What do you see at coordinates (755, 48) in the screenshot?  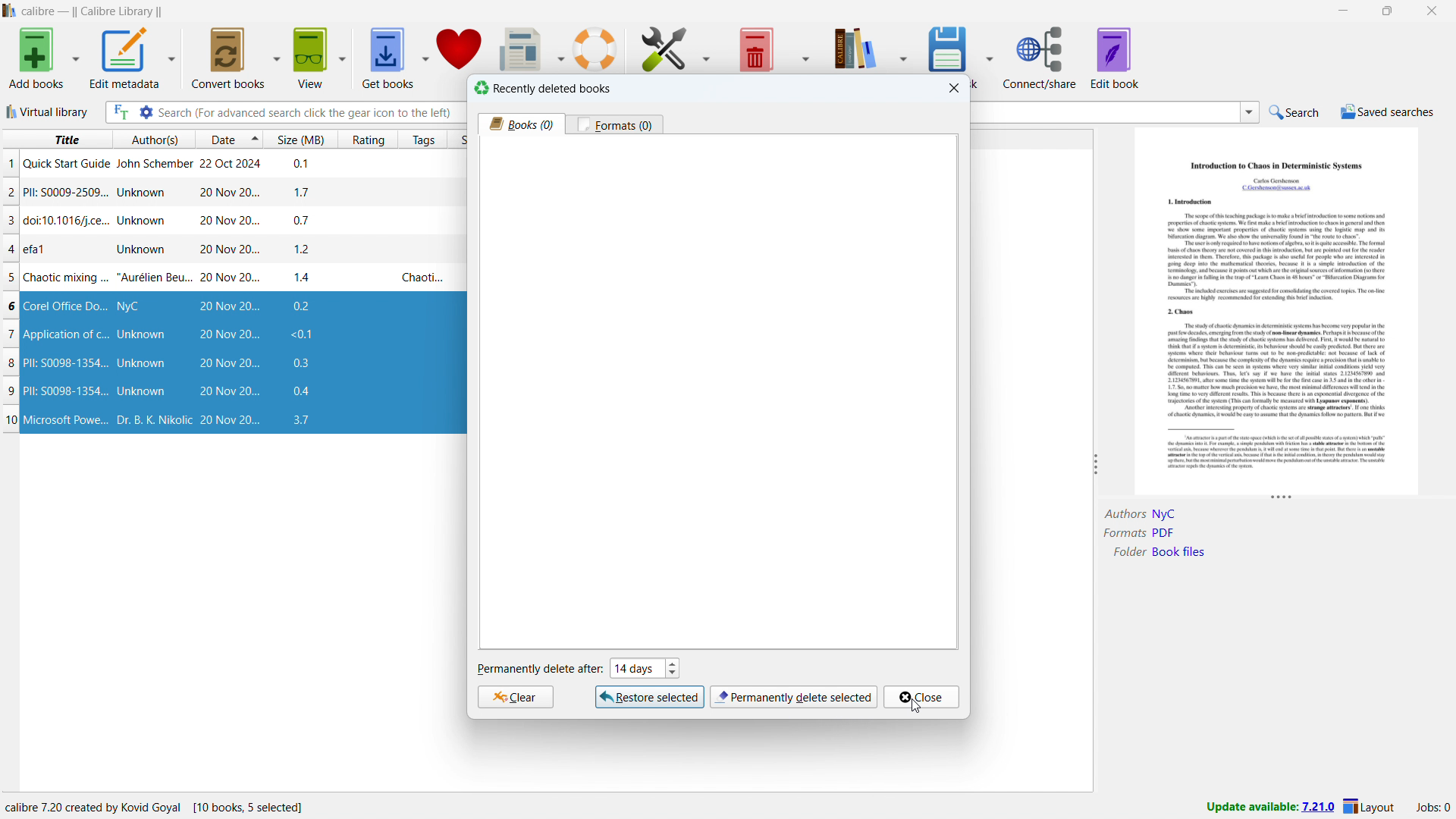 I see `remove books` at bounding box center [755, 48].